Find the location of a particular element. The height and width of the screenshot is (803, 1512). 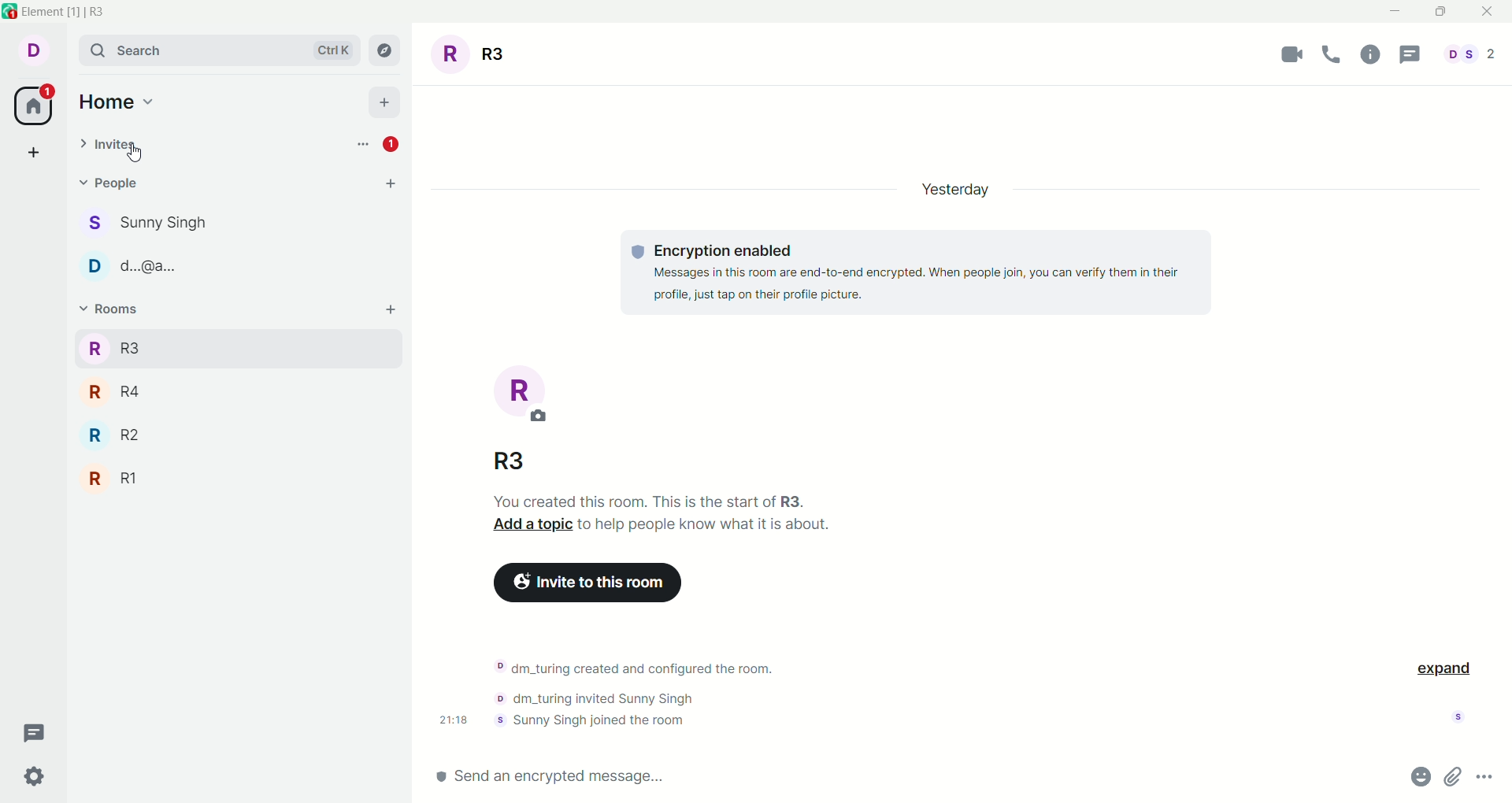

display picture is located at coordinates (521, 394).